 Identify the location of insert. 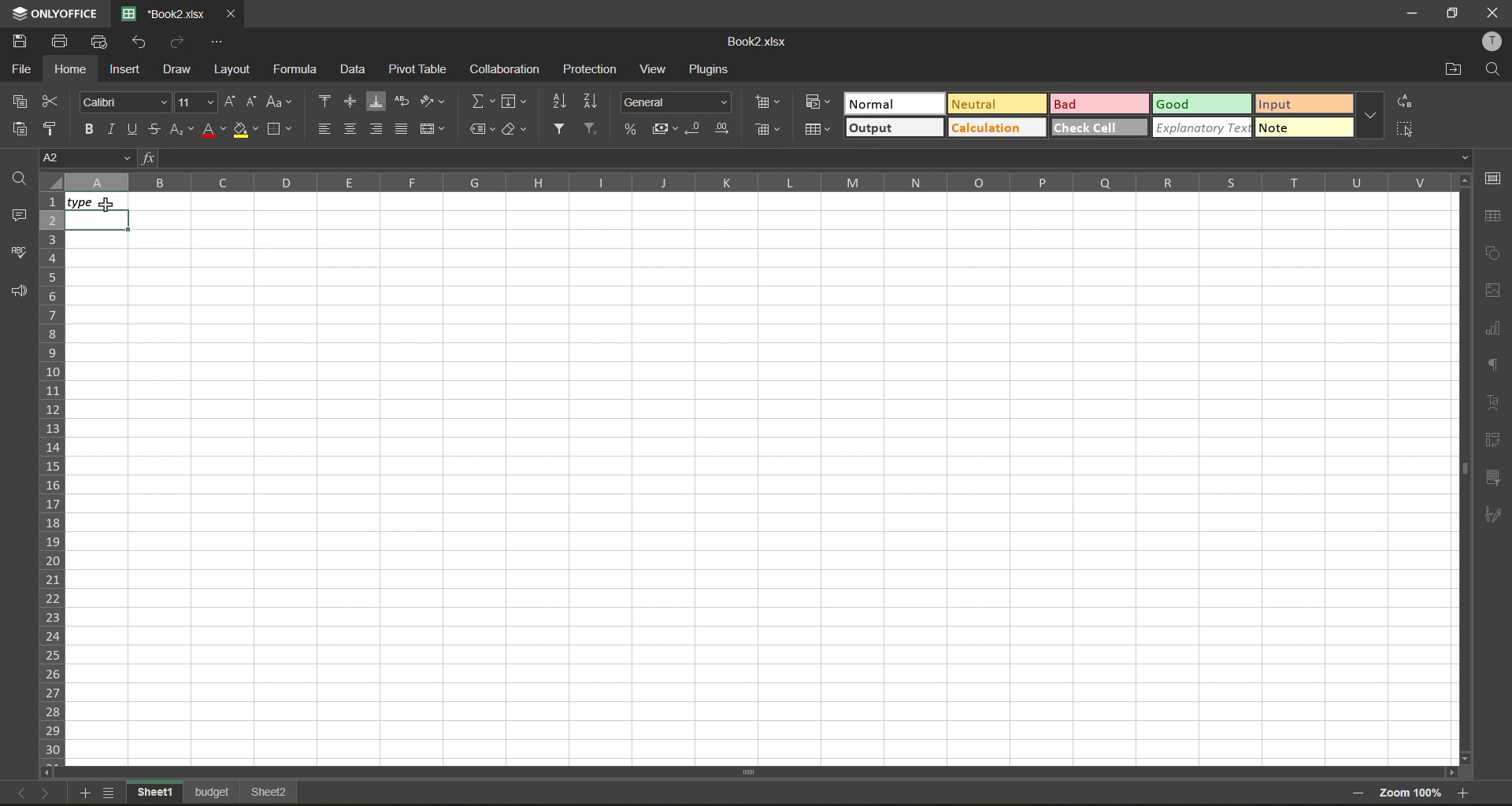
(128, 71).